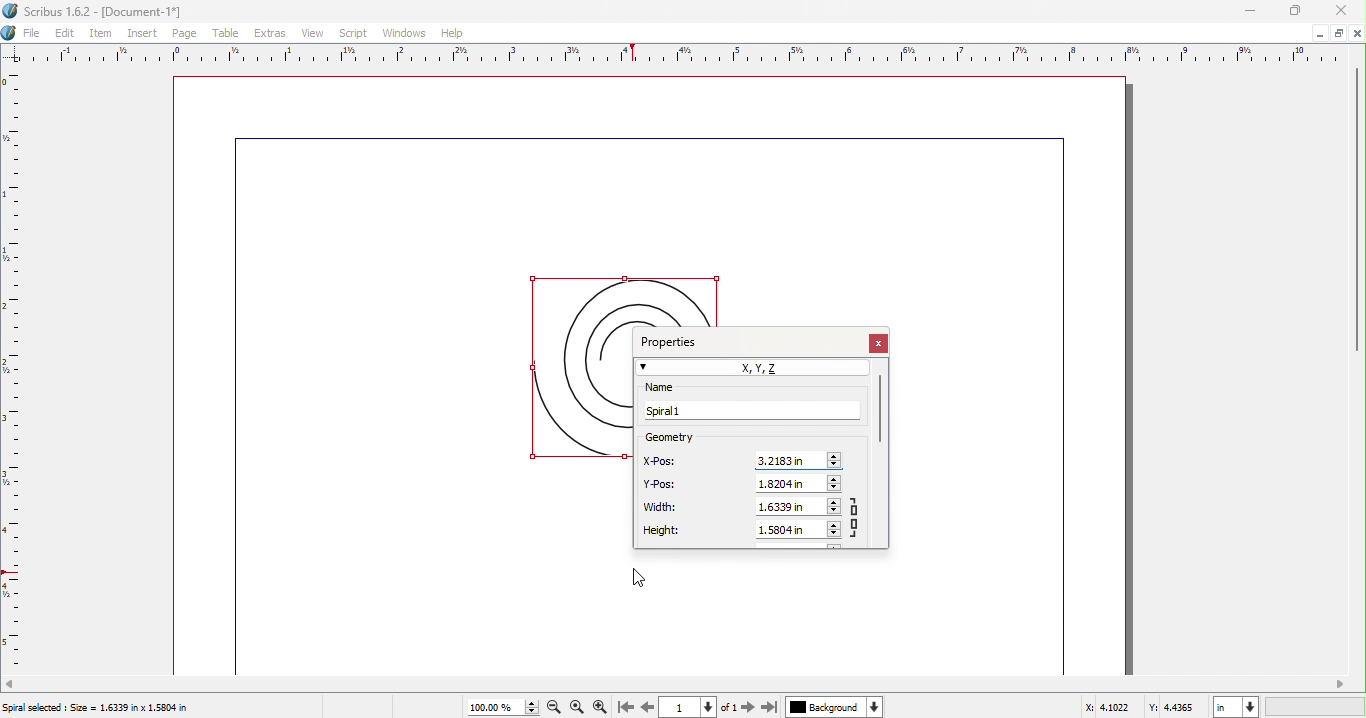 The image size is (1366, 718). What do you see at coordinates (769, 707) in the screenshot?
I see `Go to the last page` at bounding box center [769, 707].